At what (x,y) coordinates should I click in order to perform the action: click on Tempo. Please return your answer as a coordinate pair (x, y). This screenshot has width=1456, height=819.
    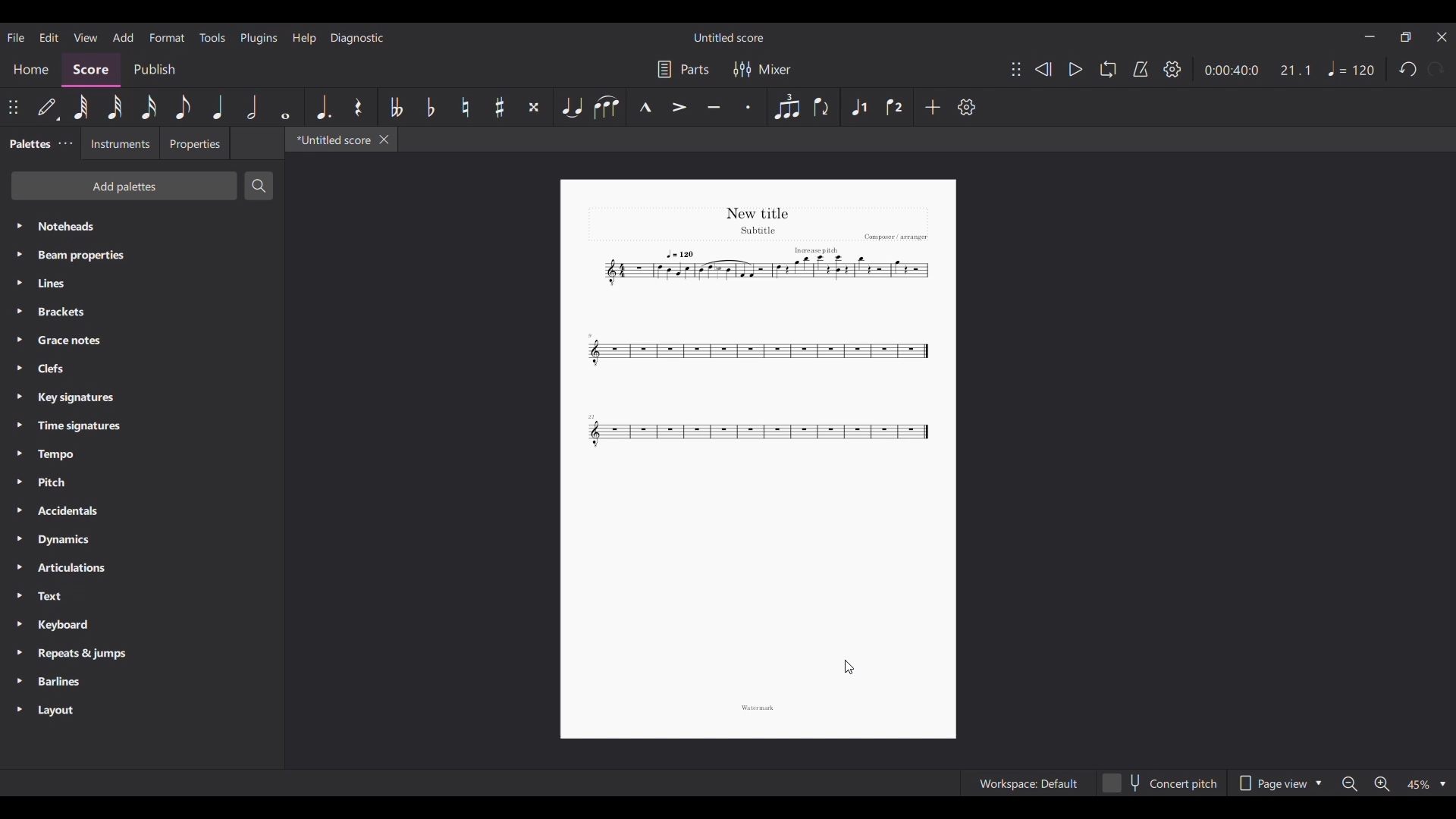
    Looking at the image, I should click on (142, 454).